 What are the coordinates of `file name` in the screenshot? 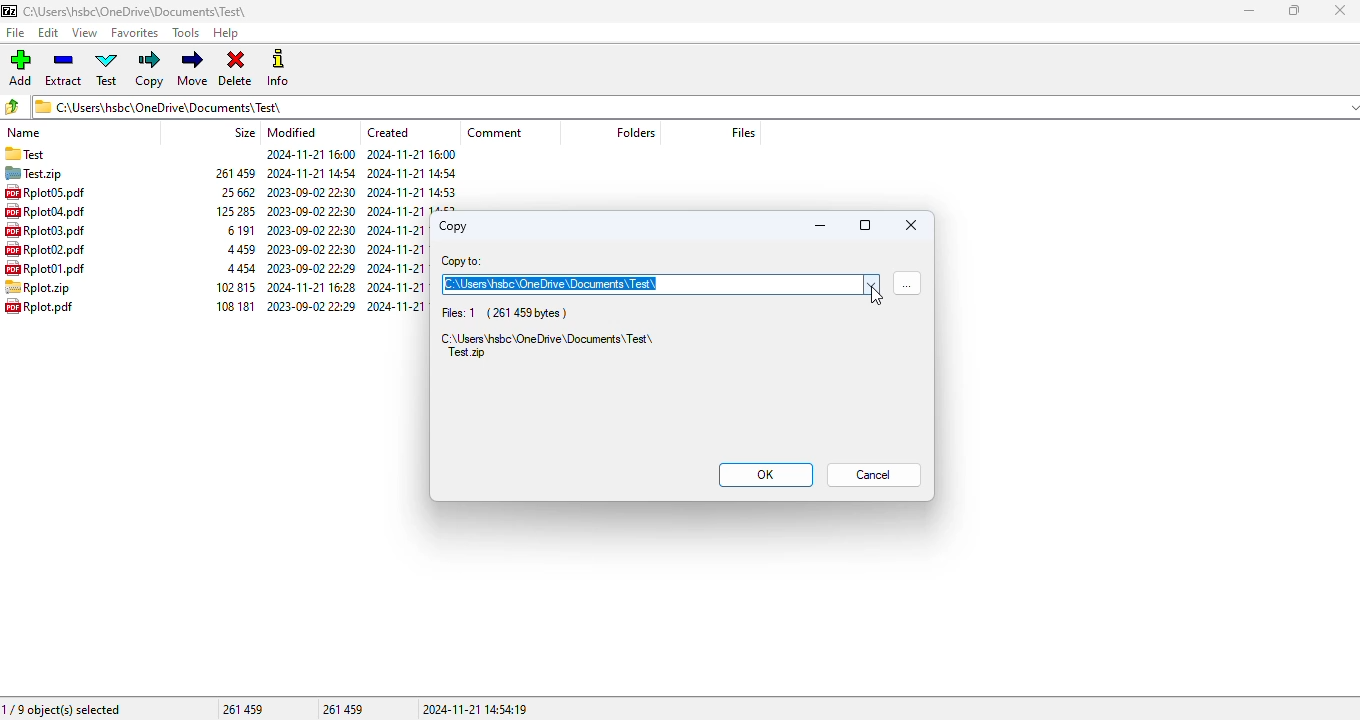 It's located at (44, 248).